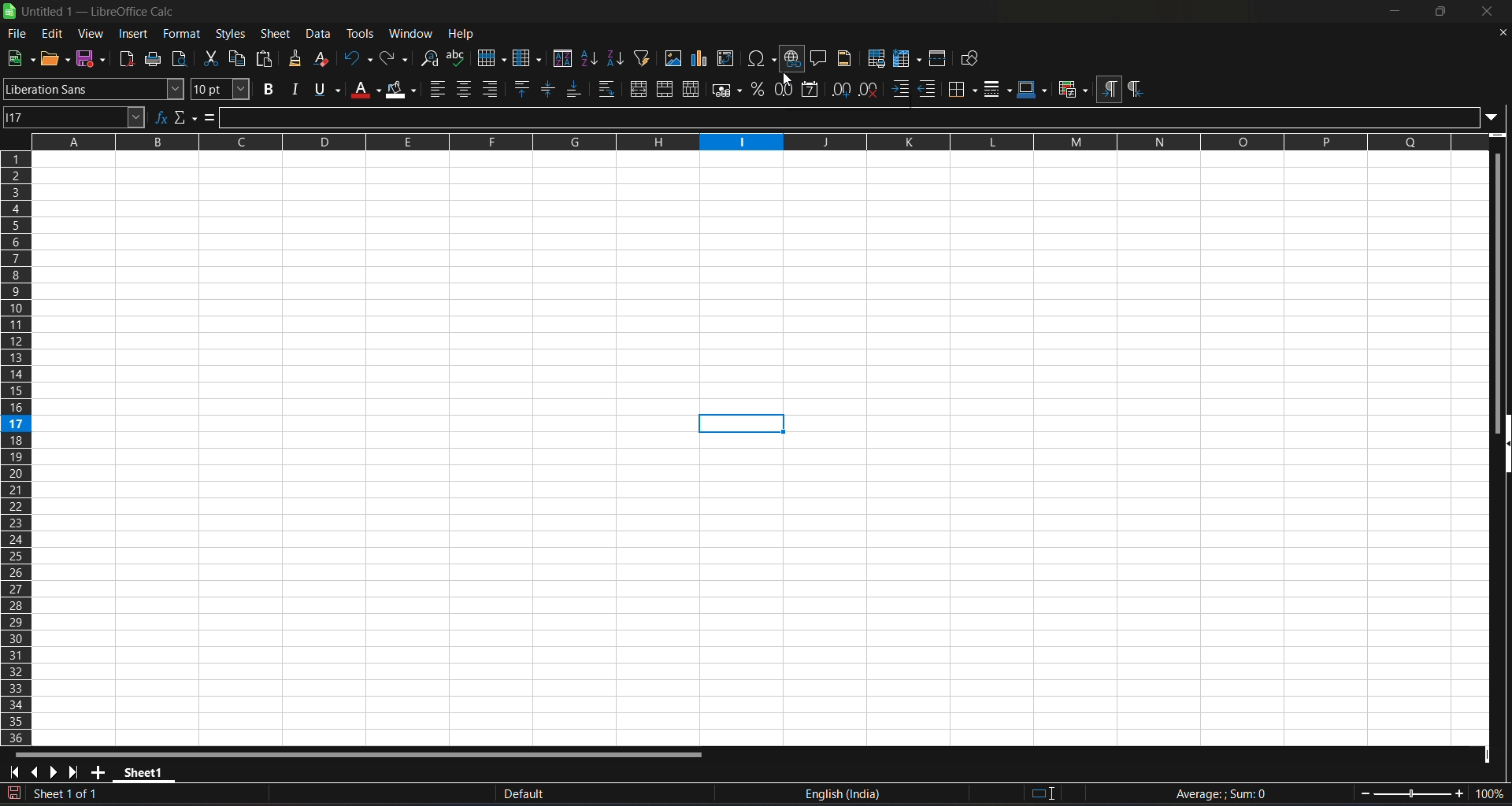 This screenshot has width=1512, height=806. What do you see at coordinates (461, 32) in the screenshot?
I see `help` at bounding box center [461, 32].